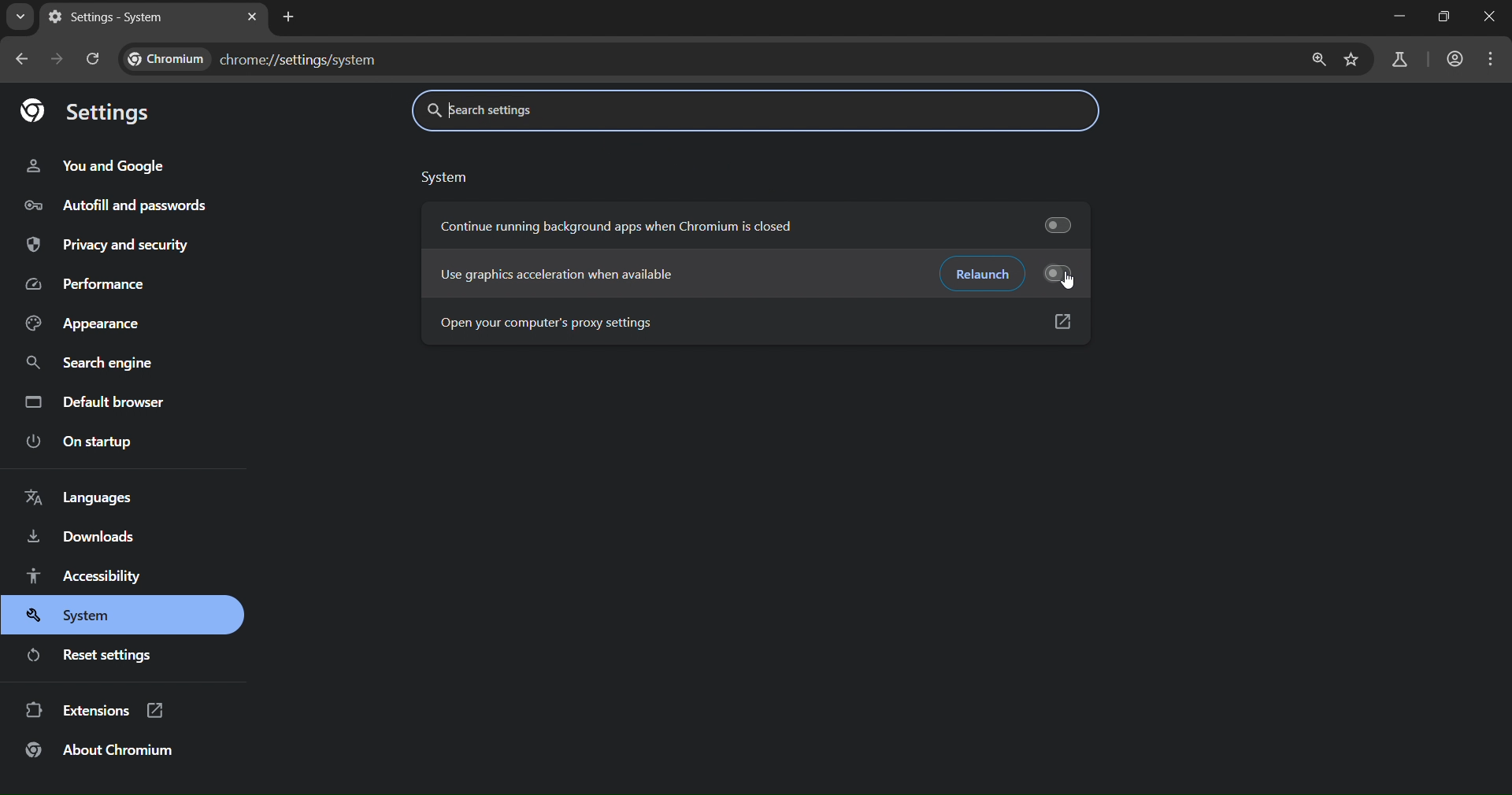 The height and width of the screenshot is (795, 1512). Describe the element at coordinates (99, 19) in the screenshot. I see `current tab` at that location.